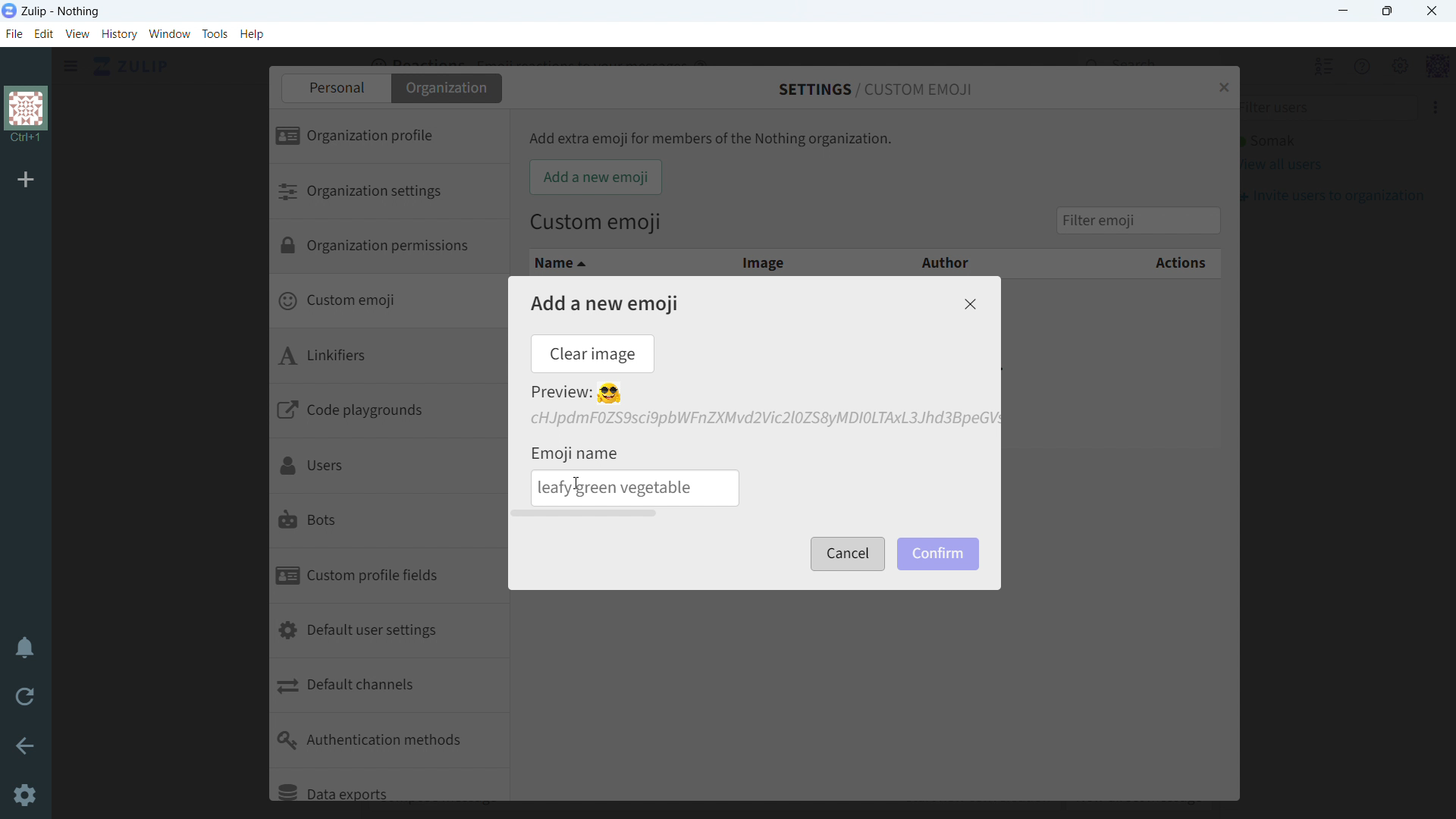 The image size is (1456, 819). What do you see at coordinates (1323, 108) in the screenshot?
I see `filter users` at bounding box center [1323, 108].